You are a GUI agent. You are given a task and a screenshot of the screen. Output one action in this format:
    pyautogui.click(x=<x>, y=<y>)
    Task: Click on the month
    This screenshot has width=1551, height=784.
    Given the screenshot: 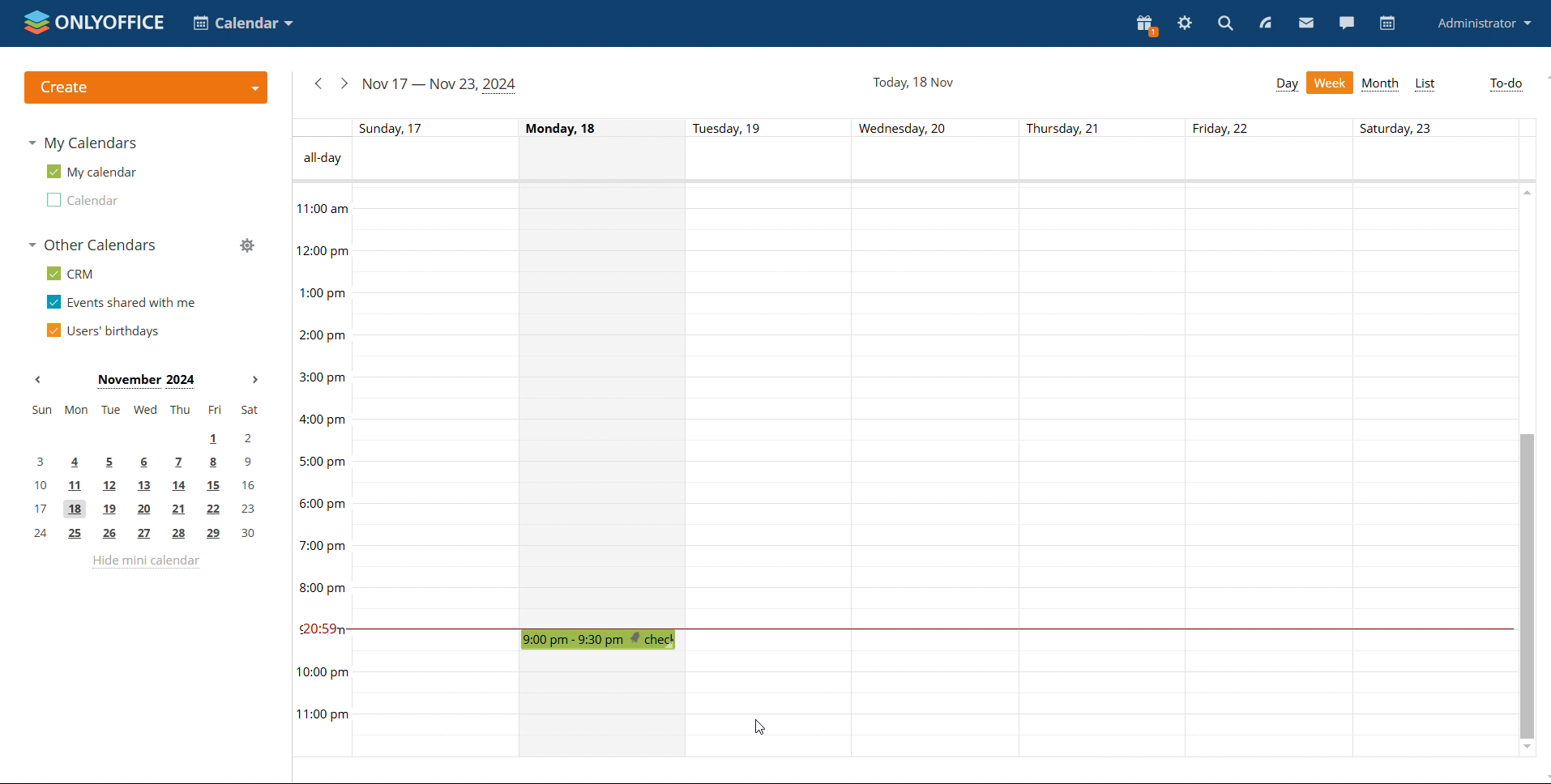 What is the action you would take?
    pyautogui.click(x=1382, y=84)
    